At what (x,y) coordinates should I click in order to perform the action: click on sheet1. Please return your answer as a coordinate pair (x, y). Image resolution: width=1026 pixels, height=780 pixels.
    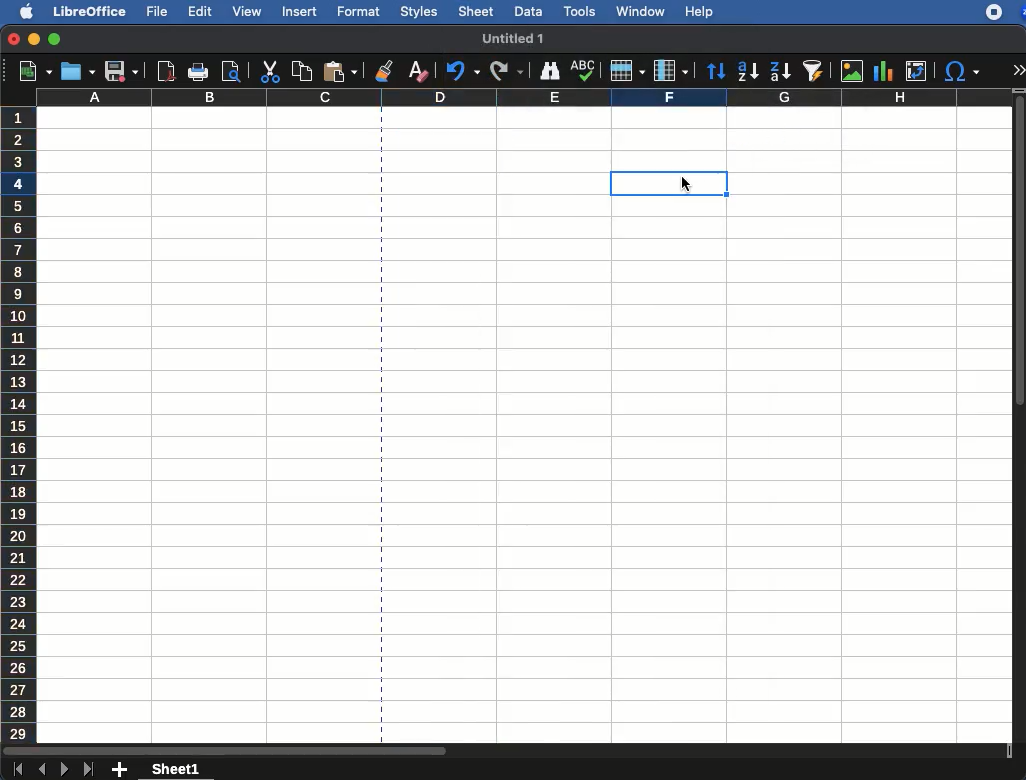
    Looking at the image, I should click on (177, 770).